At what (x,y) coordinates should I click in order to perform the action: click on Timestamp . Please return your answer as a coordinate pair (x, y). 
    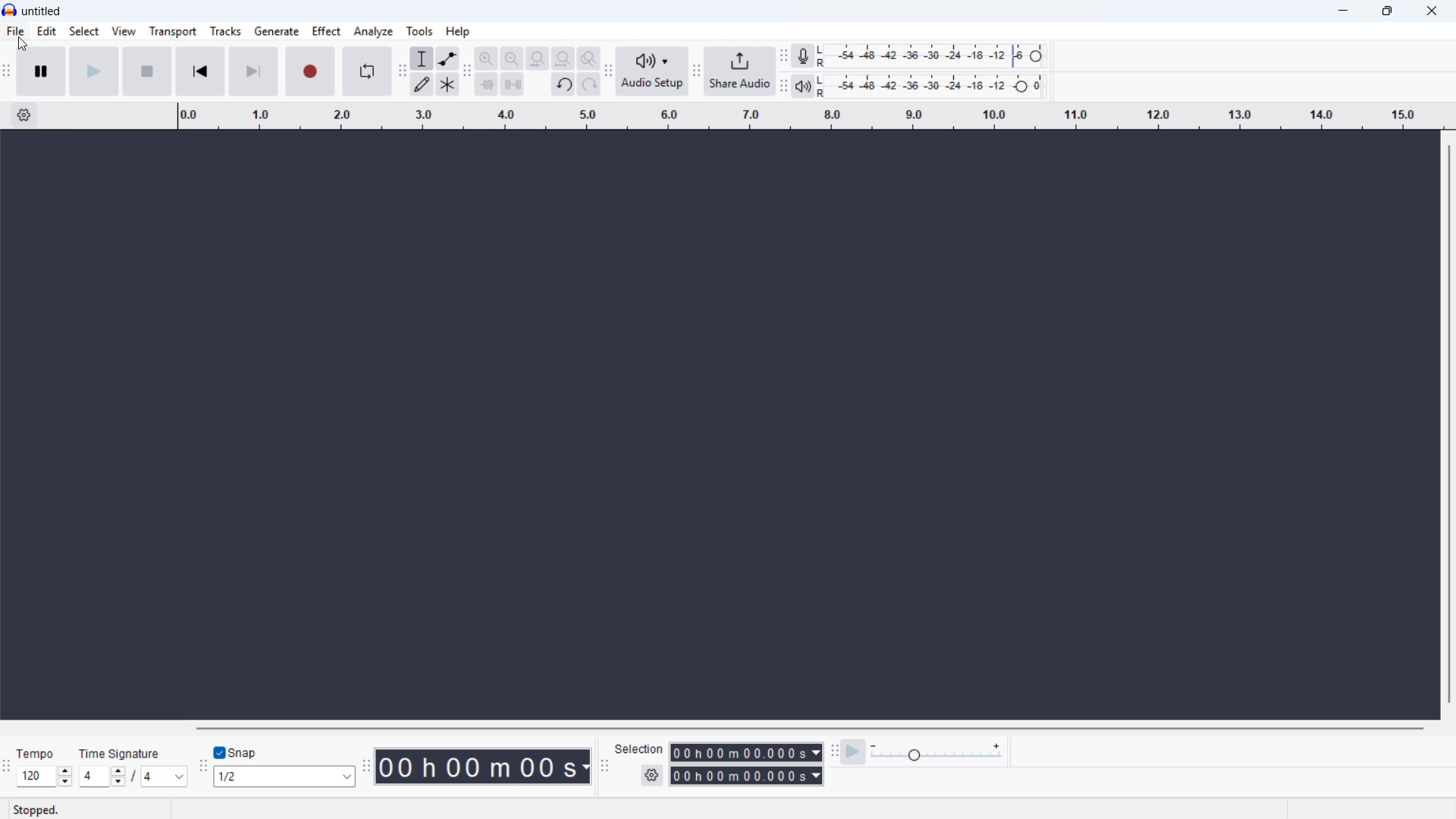
    Looking at the image, I should click on (485, 767).